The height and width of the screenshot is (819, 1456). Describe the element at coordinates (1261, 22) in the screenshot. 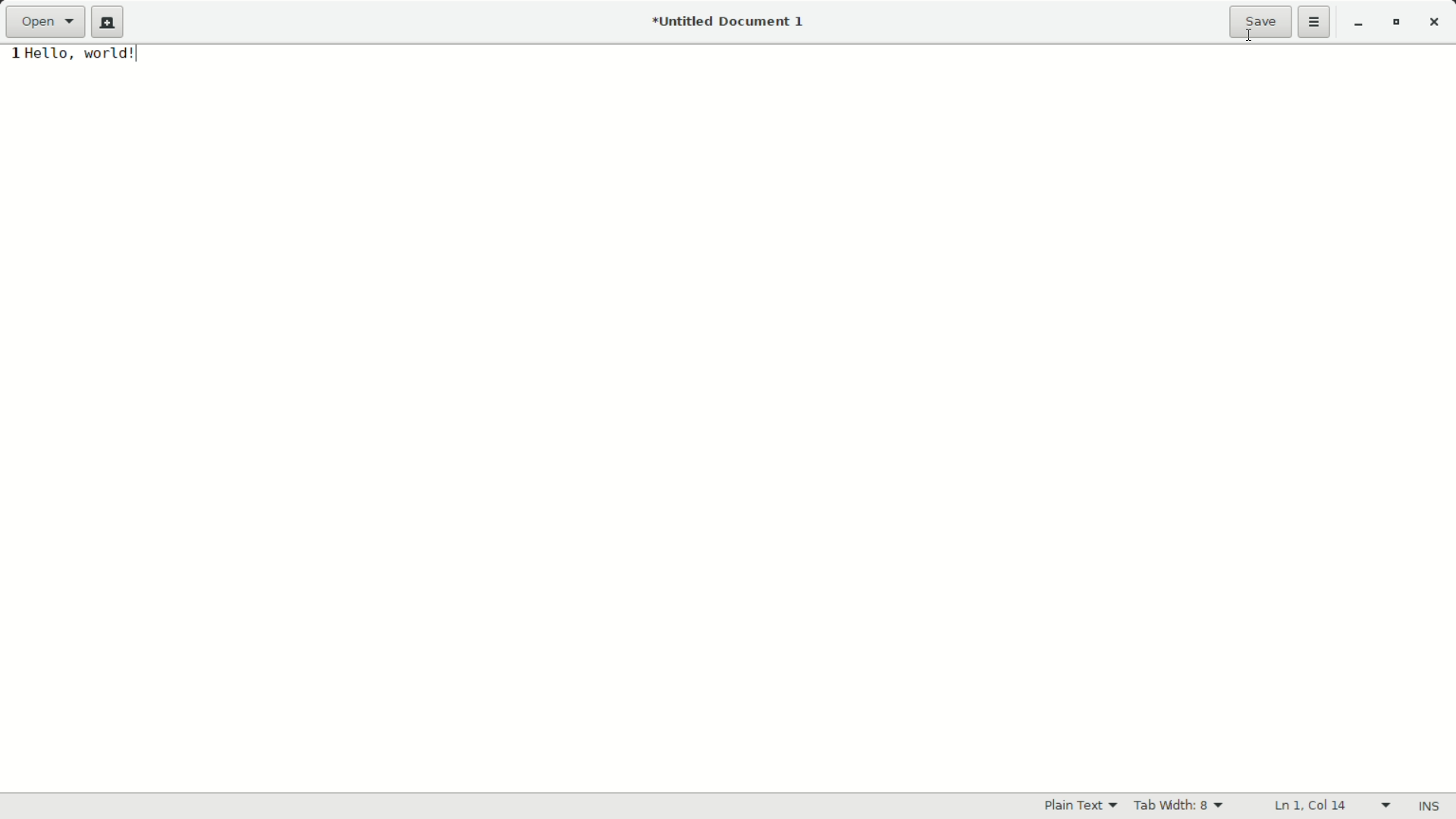

I see `save file` at that location.